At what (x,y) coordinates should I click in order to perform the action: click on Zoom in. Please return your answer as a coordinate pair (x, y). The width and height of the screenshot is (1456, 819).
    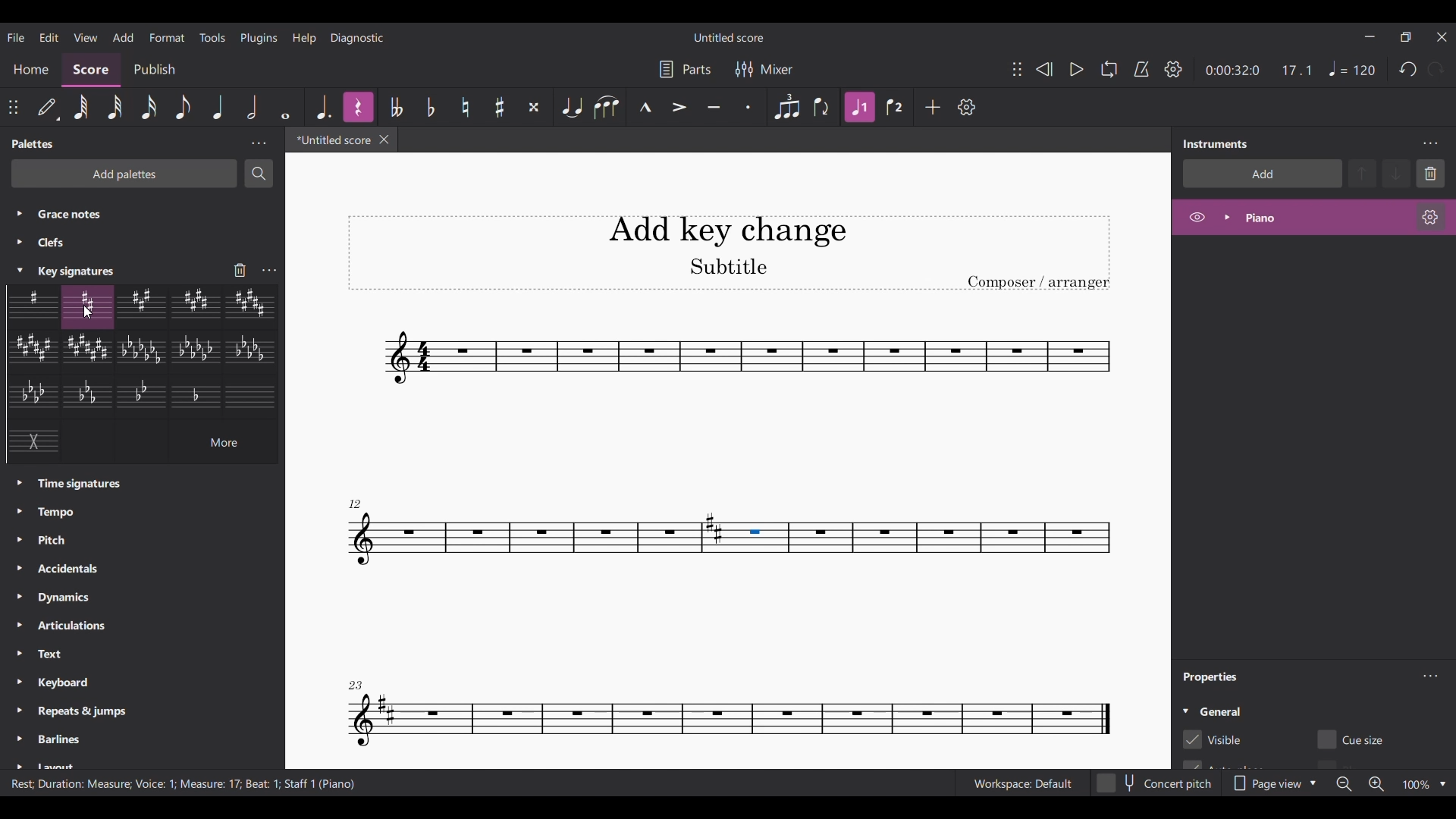
    Looking at the image, I should click on (1376, 784).